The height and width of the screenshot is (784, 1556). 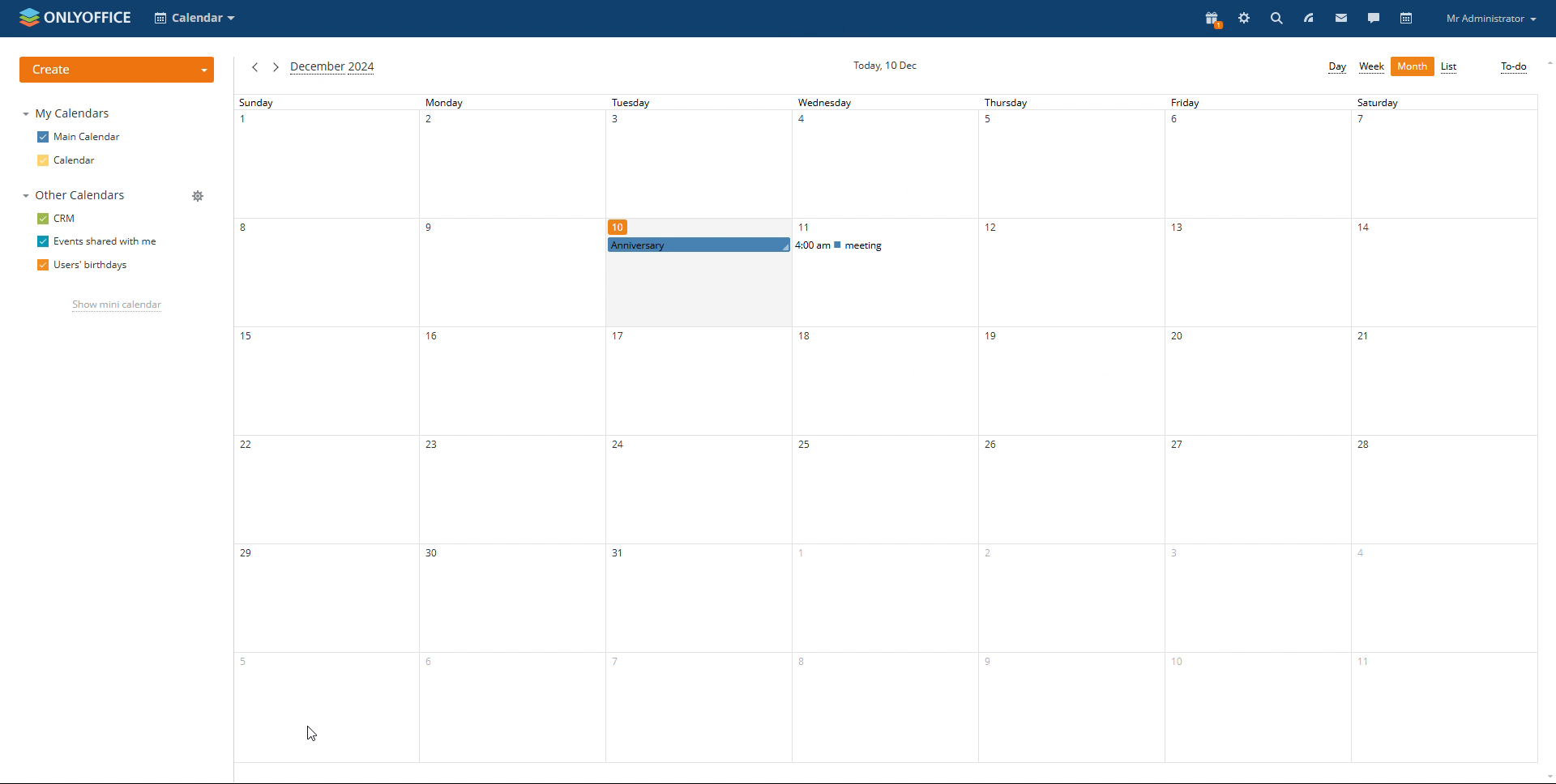 What do you see at coordinates (1546, 62) in the screenshot?
I see `scroll up` at bounding box center [1546, 62].